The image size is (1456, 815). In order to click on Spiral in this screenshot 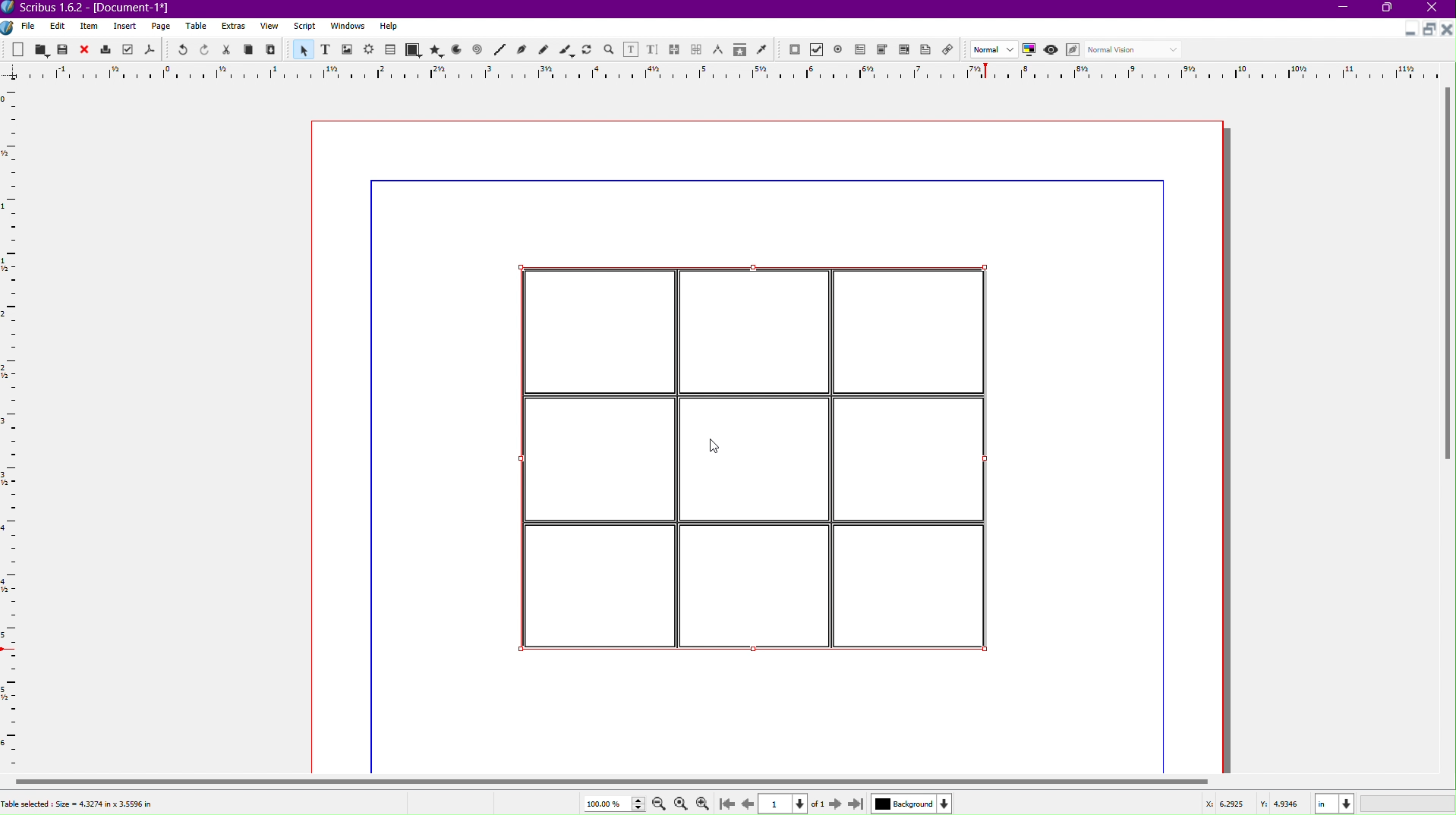, I will do `click(478, 51)`.